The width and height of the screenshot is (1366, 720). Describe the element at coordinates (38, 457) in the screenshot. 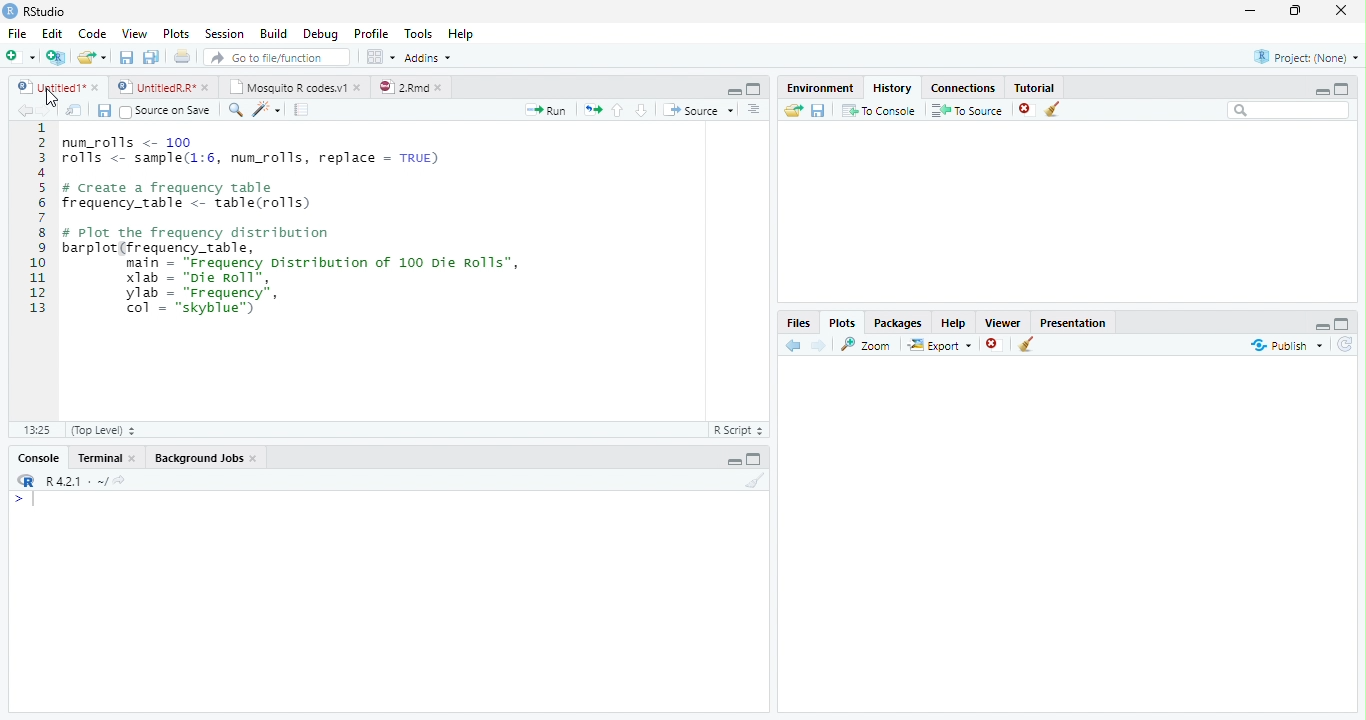

I see `Console` at that location.